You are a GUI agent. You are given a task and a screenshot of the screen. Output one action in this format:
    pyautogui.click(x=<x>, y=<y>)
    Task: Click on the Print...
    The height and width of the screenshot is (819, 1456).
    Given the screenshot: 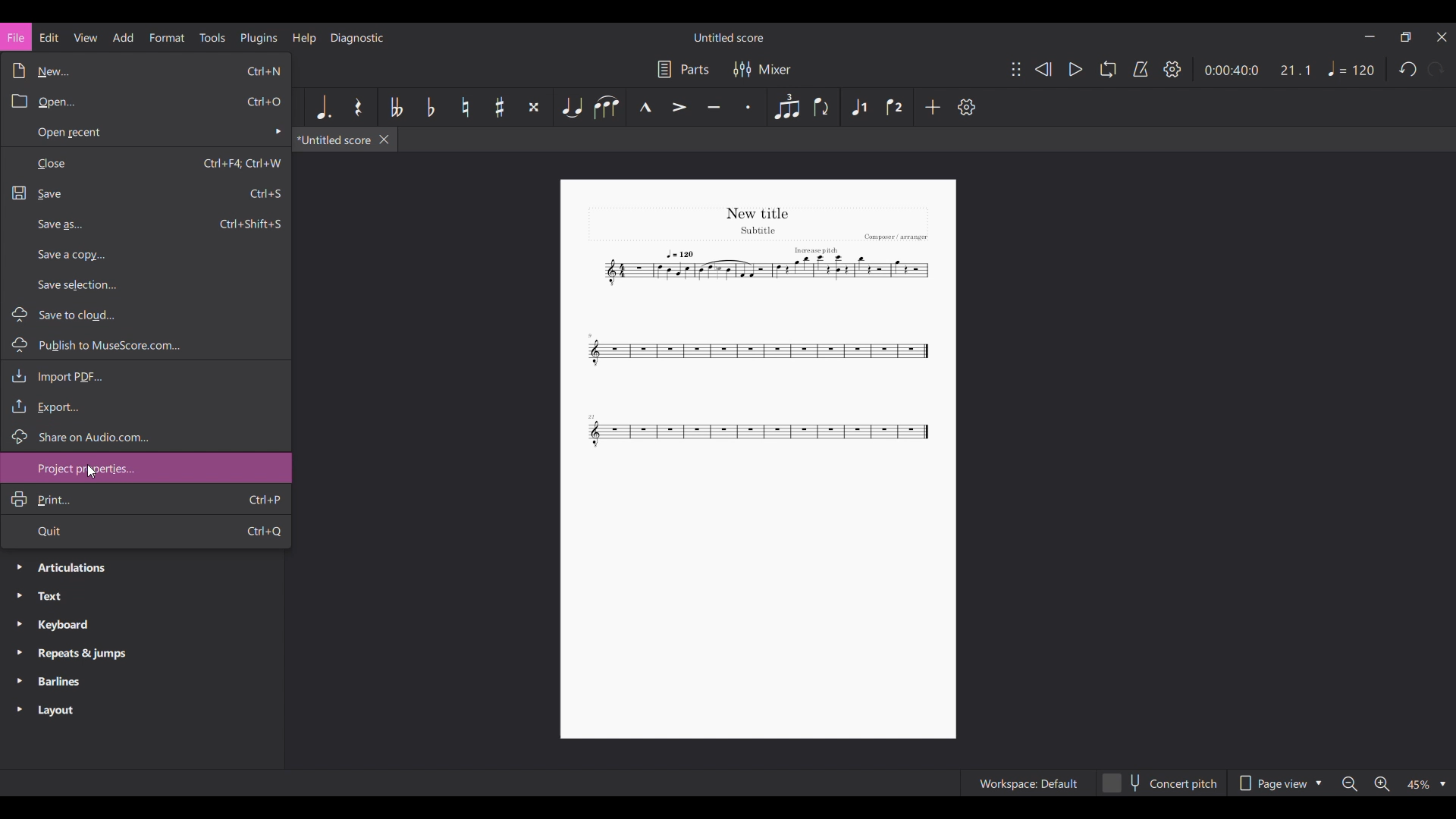 What is the action you would take?
    pyautogui.click(x=146, y=499)
    